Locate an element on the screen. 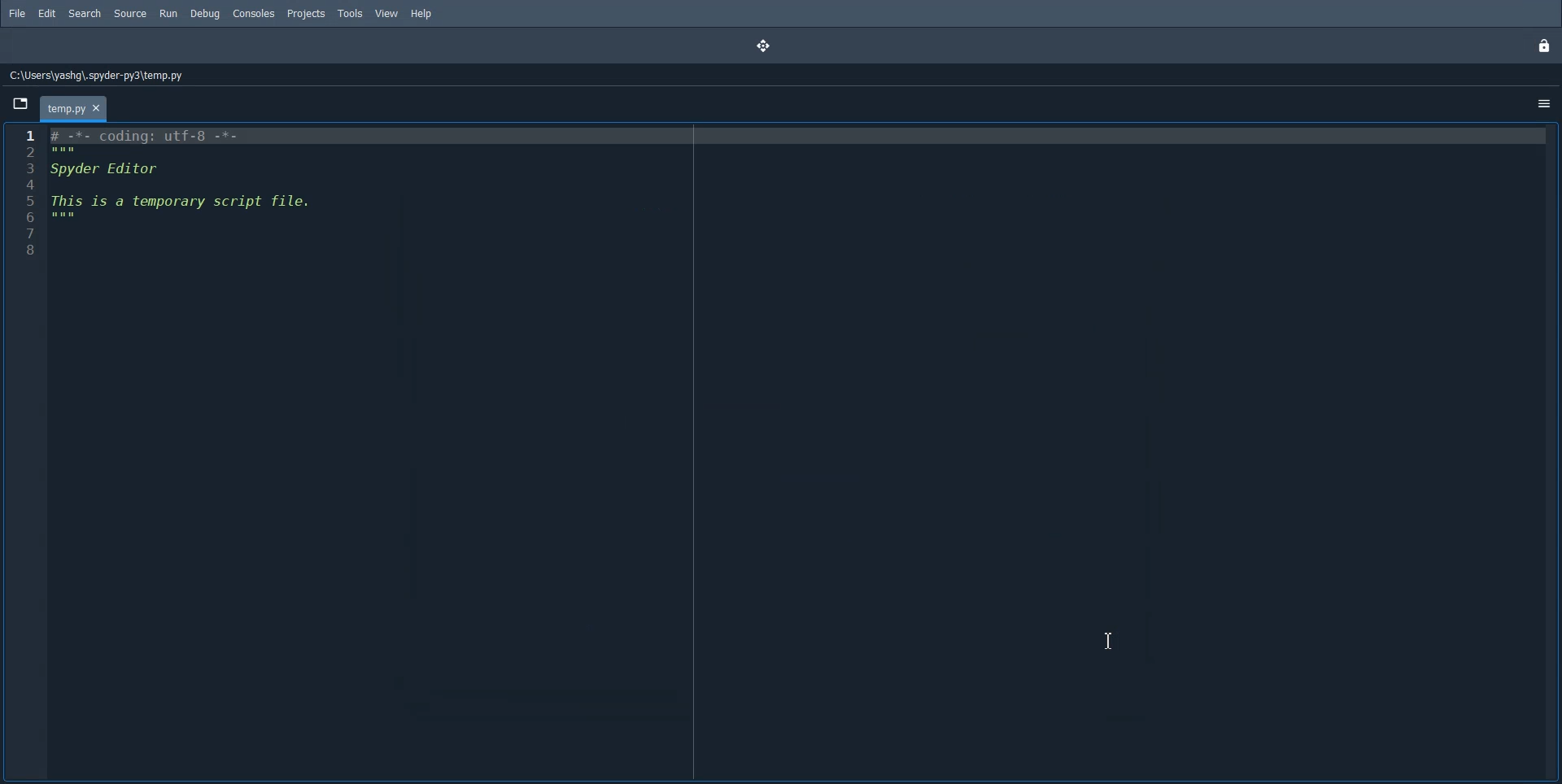  Projects is located at coordinates (305, 14).